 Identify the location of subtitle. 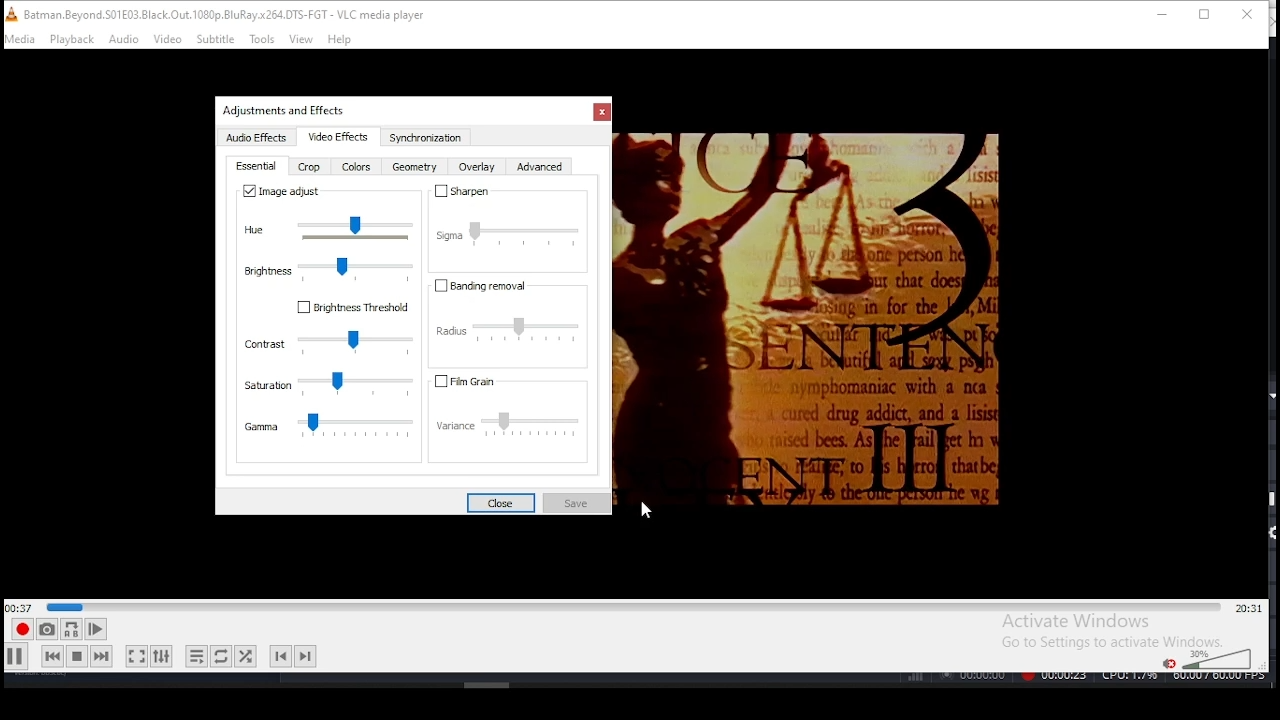
(216, 40).